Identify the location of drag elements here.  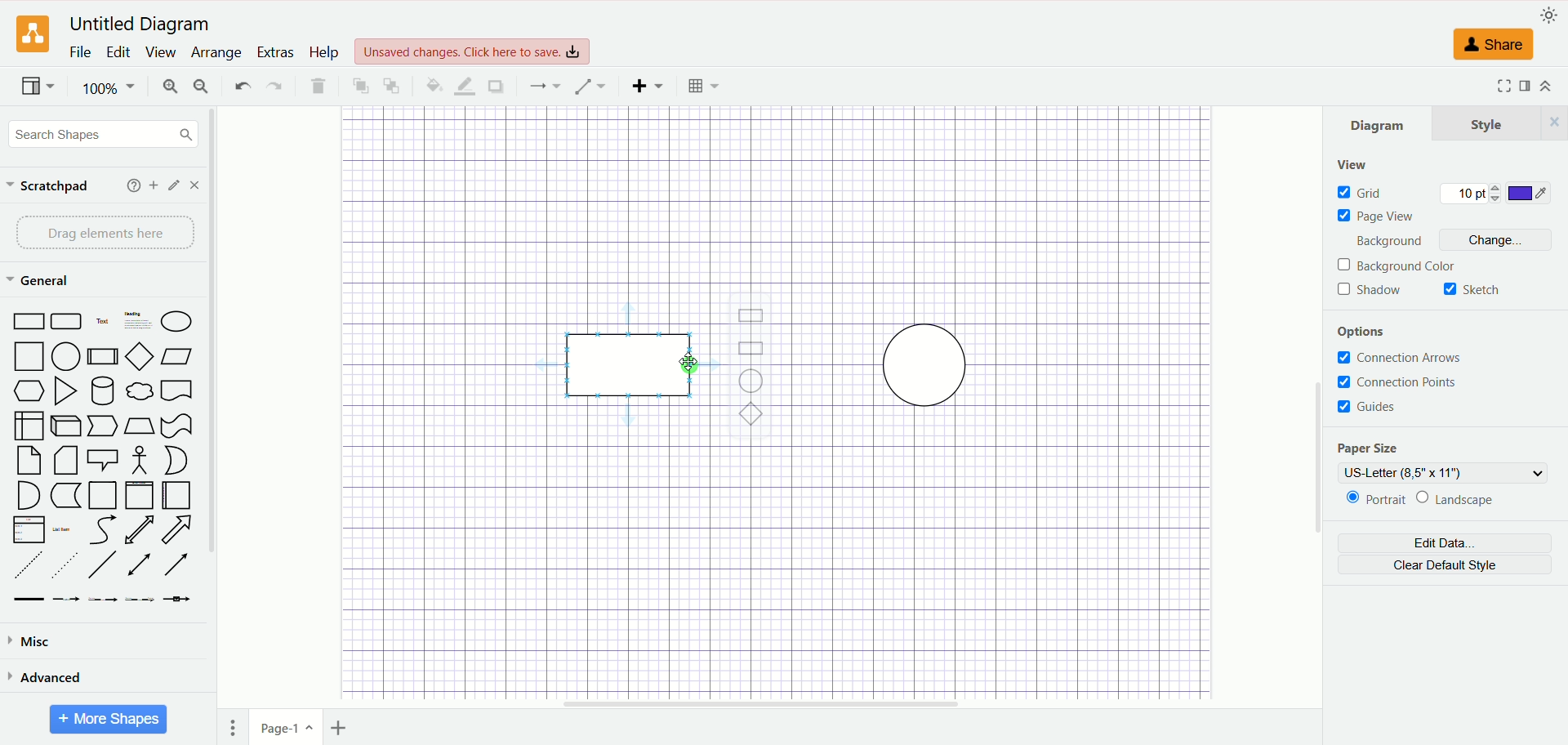
(105, 232).